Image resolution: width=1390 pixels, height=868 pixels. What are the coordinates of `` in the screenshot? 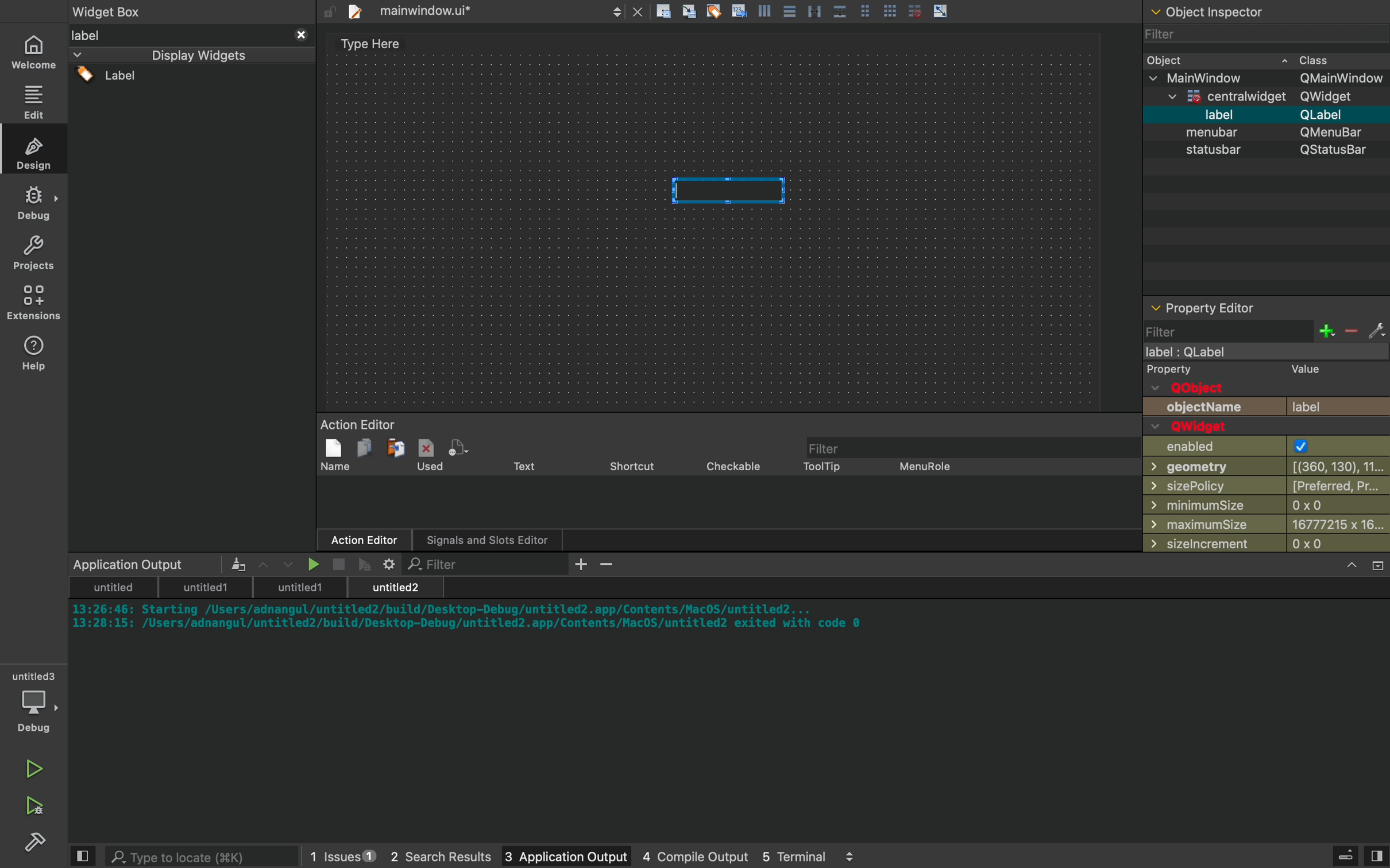 It's located at (38, 844).